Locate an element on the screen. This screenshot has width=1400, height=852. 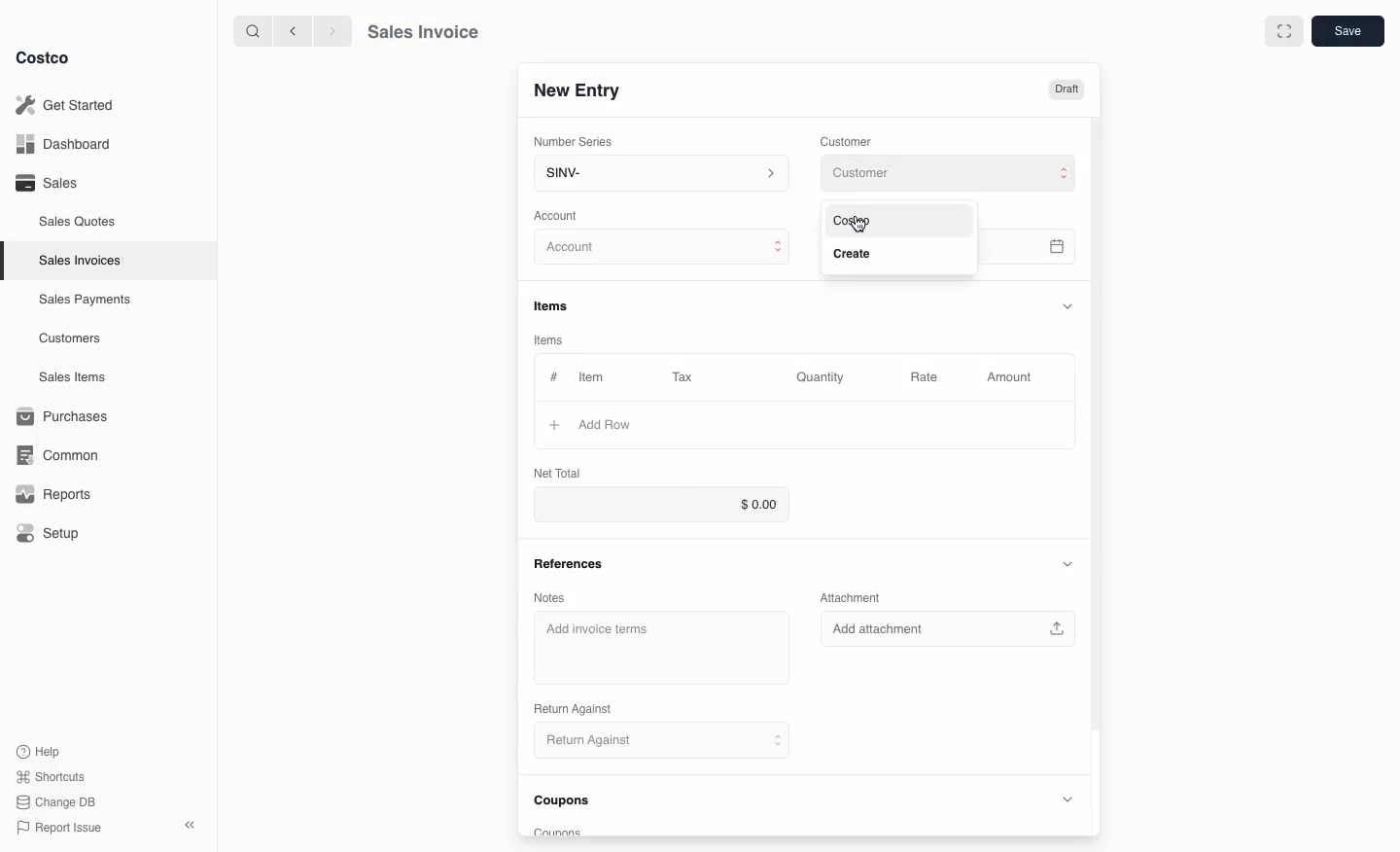
Sales Invoice is located at coordinates (422, 32).